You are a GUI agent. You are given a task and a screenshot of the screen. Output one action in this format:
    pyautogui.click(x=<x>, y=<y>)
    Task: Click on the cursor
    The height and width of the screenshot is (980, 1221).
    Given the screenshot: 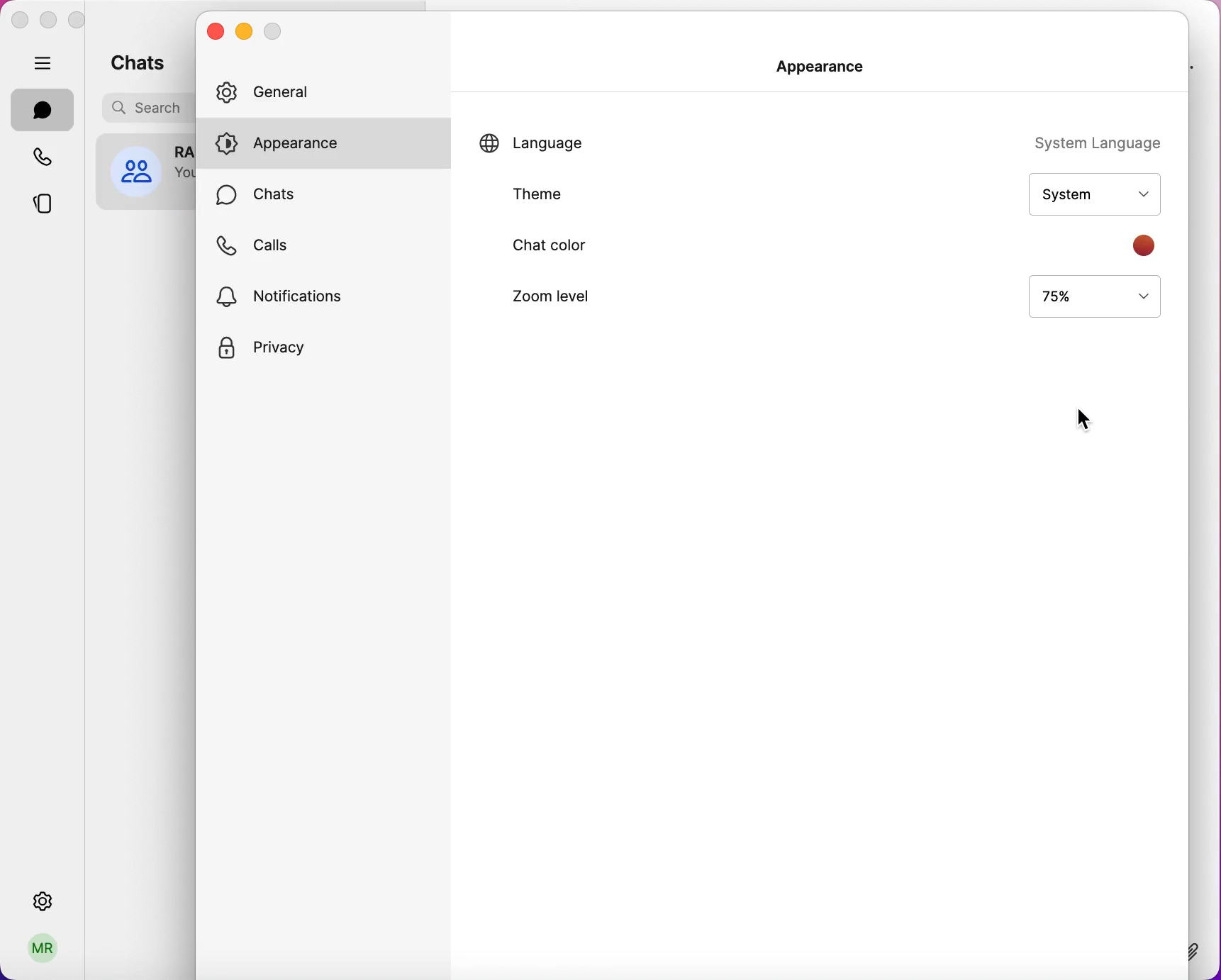 What is the action you would take?
    pyautogui.click(x=1082, y=418)
    